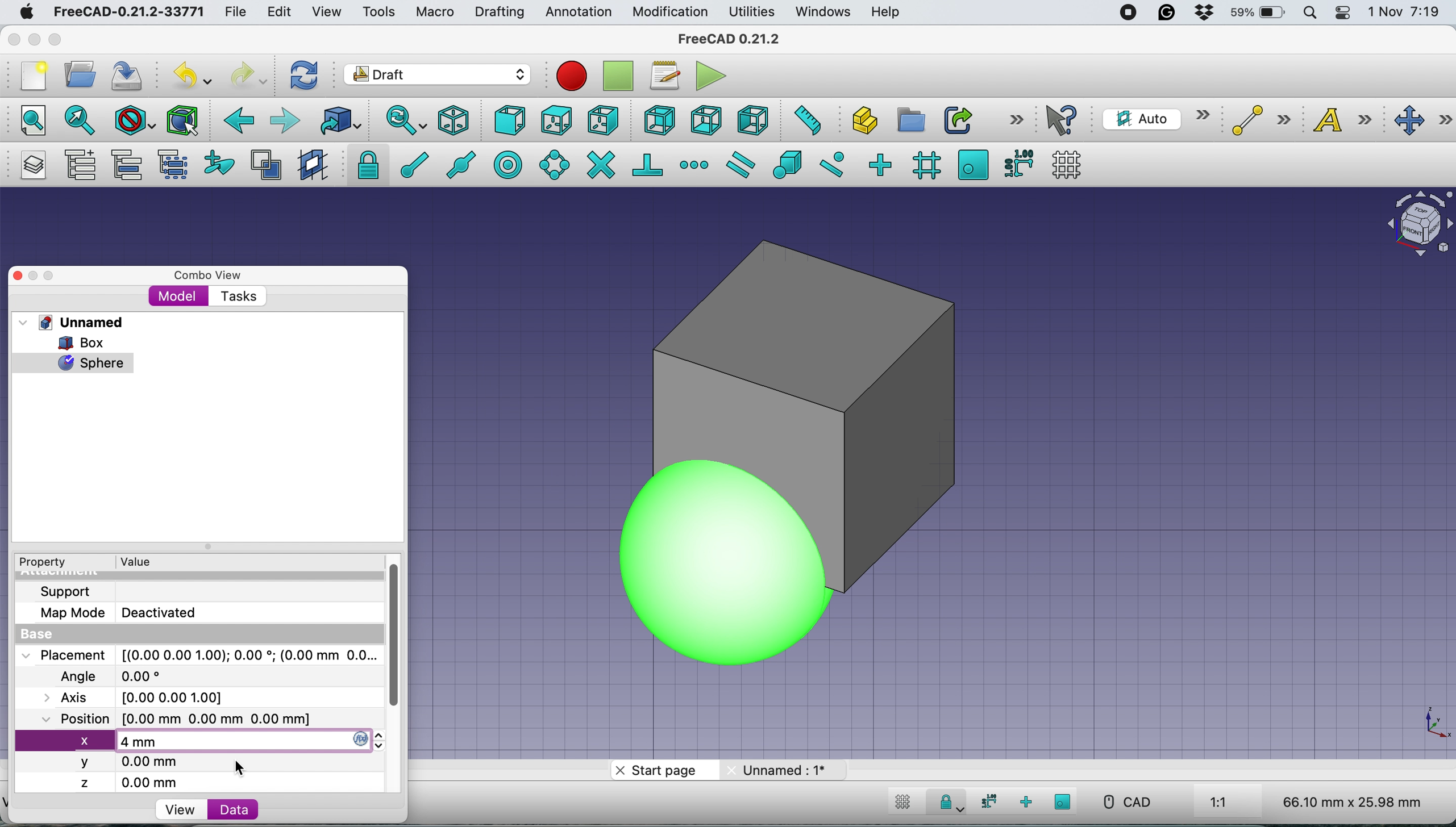  I want to click on left, so click(752, 120).